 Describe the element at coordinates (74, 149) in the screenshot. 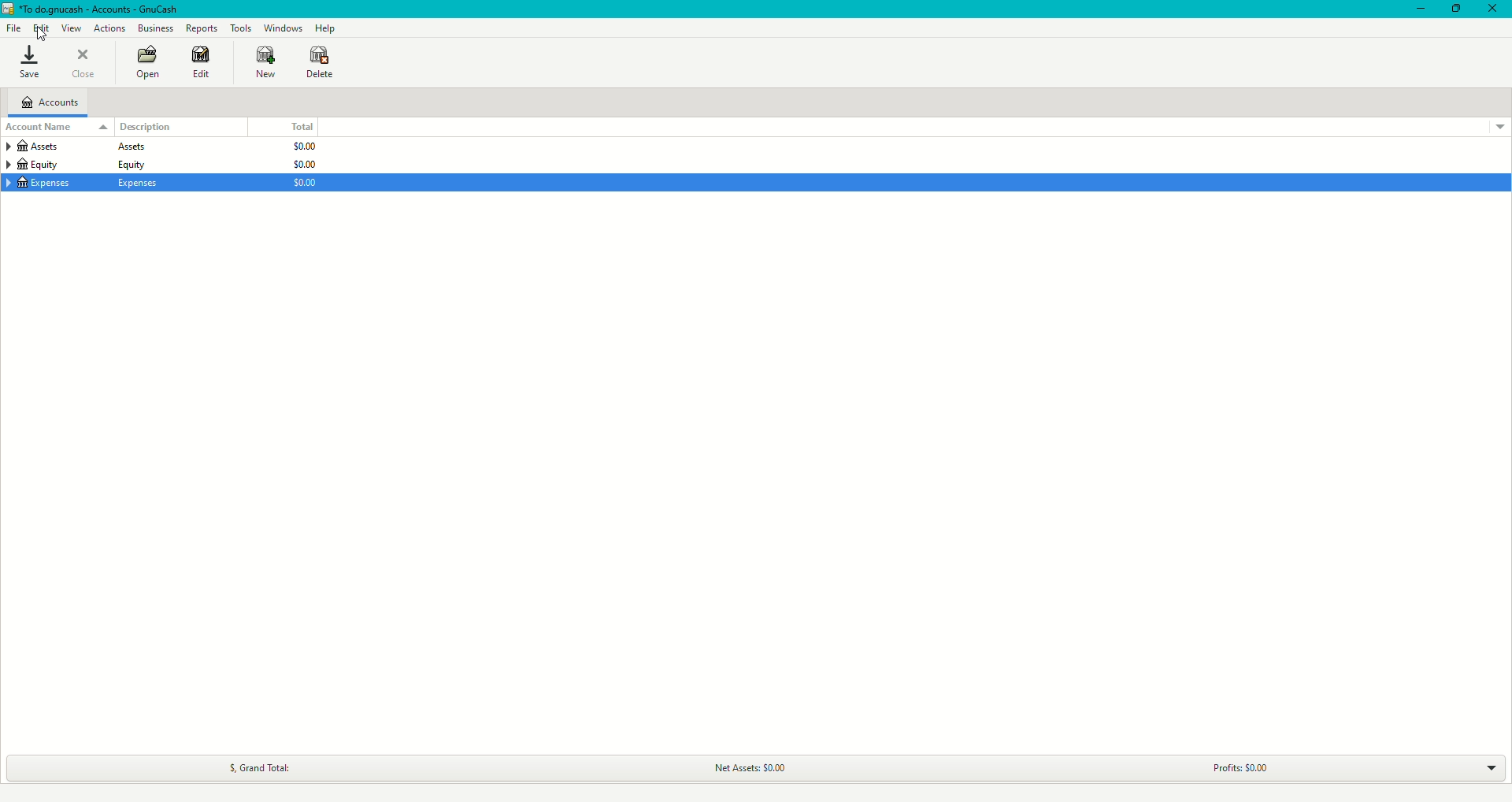

I see `Assets` at that location.